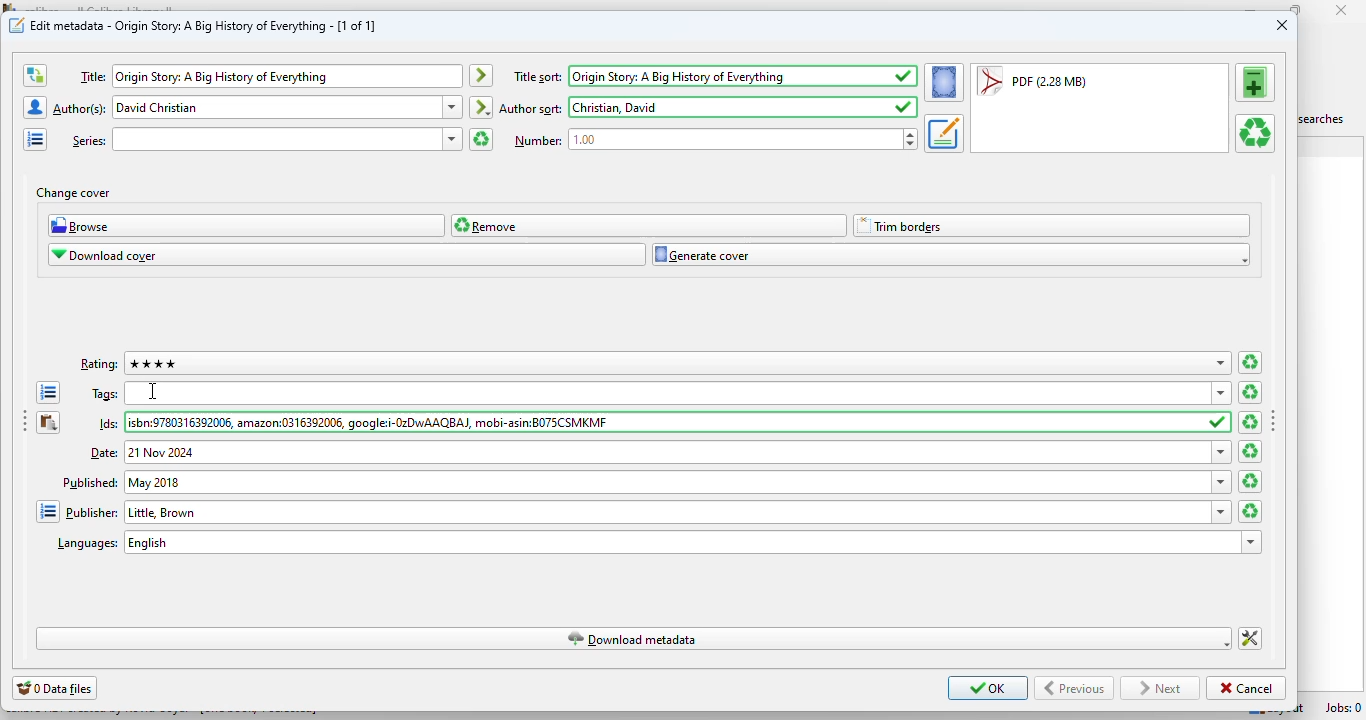 The image size is (1366, 720). I want to click on open the manage publishers editor, so click(47, 511).